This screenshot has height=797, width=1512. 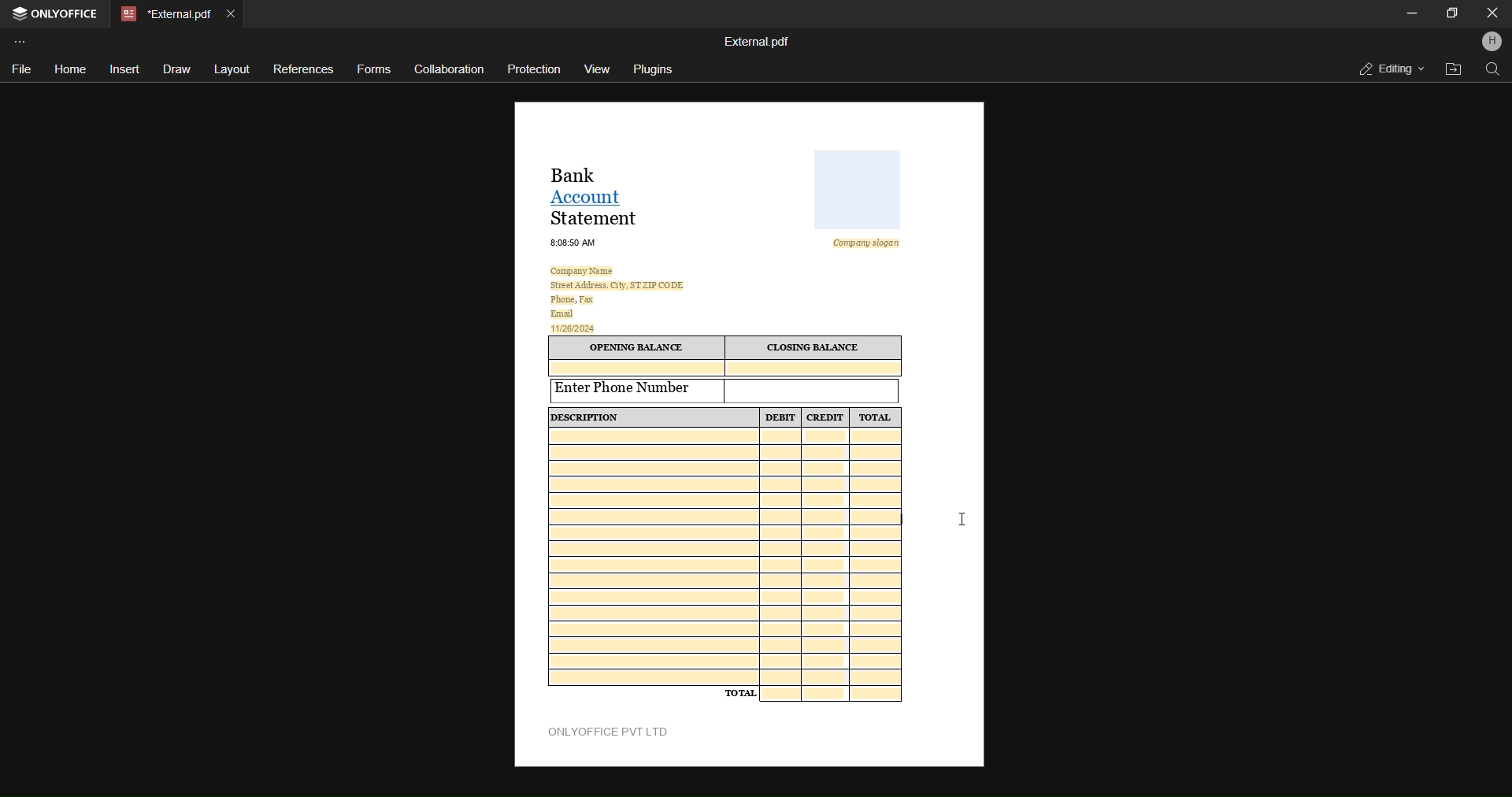 What do you see at coordinates (592, 196) in the screenshot?
I see `Account` at bounding box center [592, 196].